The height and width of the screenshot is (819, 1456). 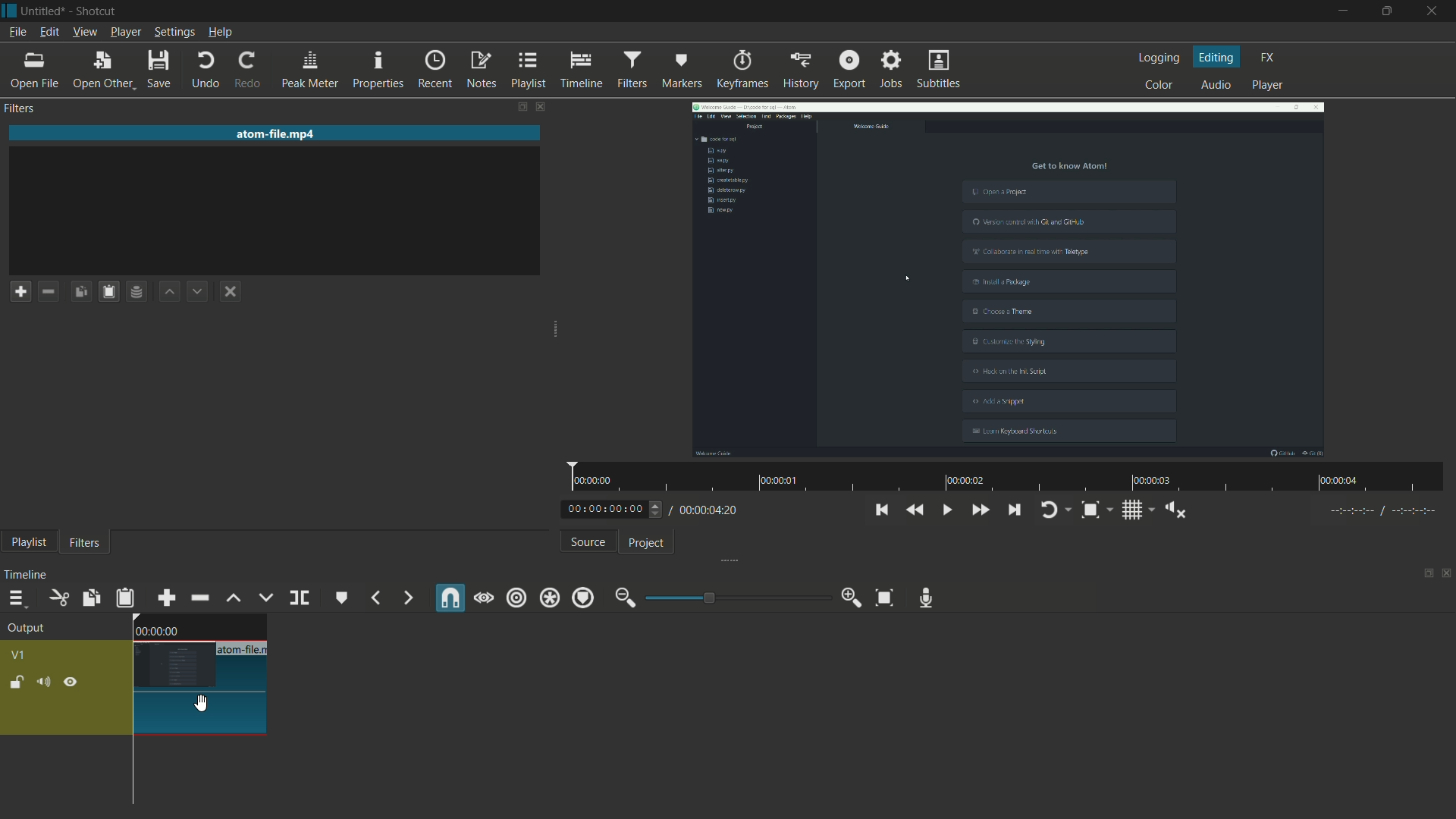 I want to click on remove the filter, so click(x=48, y=293).